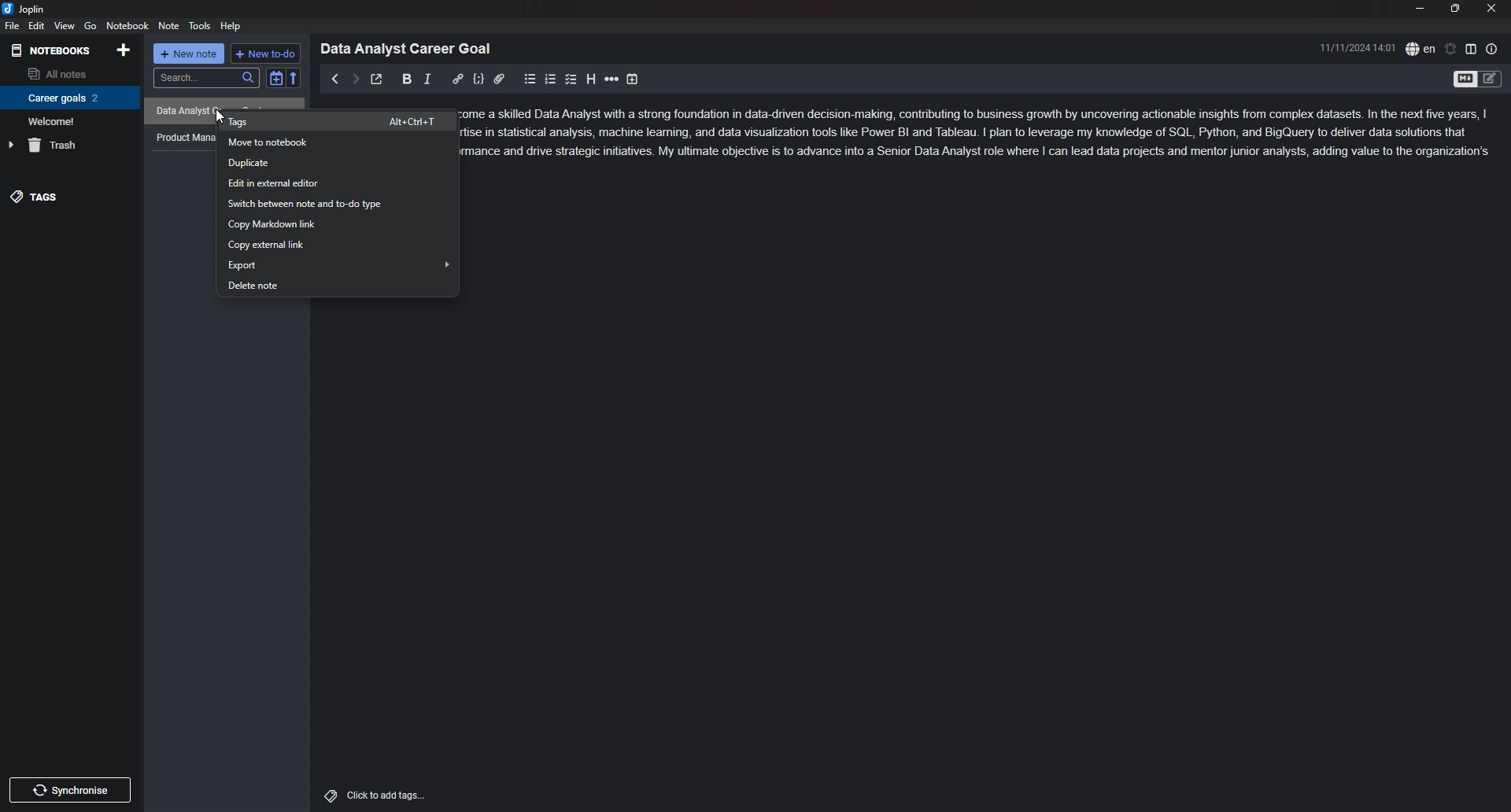 The width and height of the screenshot is (1511, 812). Describe the element at coordinates (68, 145) in the screenshot. I see `trash` at that location.